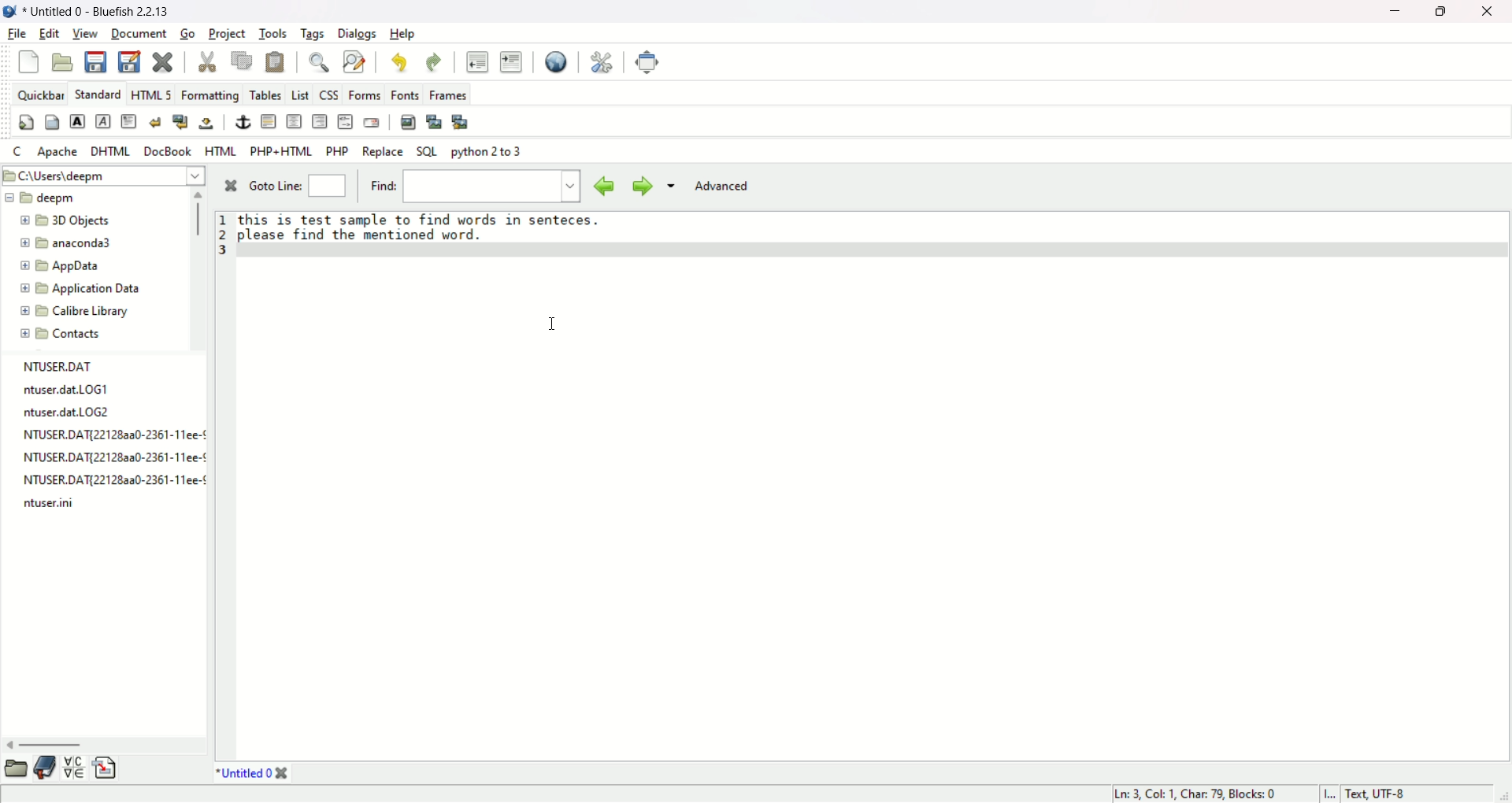 The height and width of the screenshot is (803, 1512). What do you see at coordinates (58, 151) in the screenshot?
I see `apache` at bounding box center [58, 151].